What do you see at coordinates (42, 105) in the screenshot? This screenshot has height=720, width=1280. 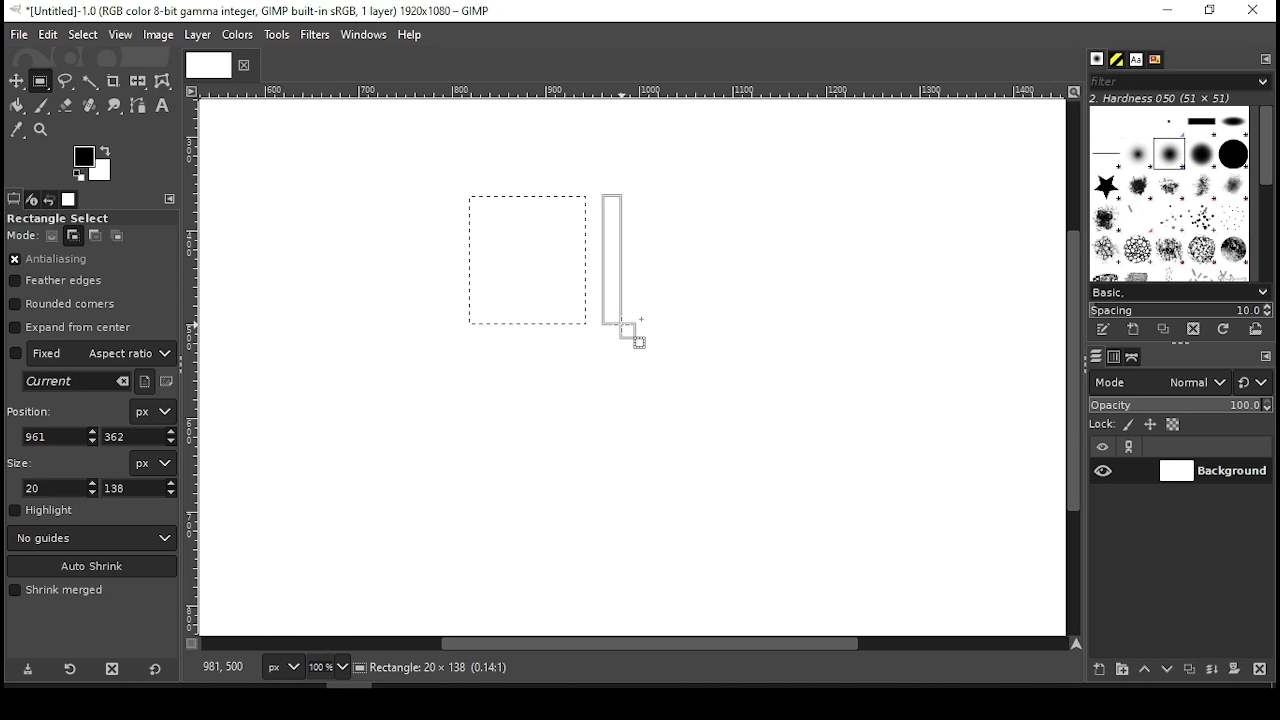 I see `paint brush tool` at bounding box center [42, 105].